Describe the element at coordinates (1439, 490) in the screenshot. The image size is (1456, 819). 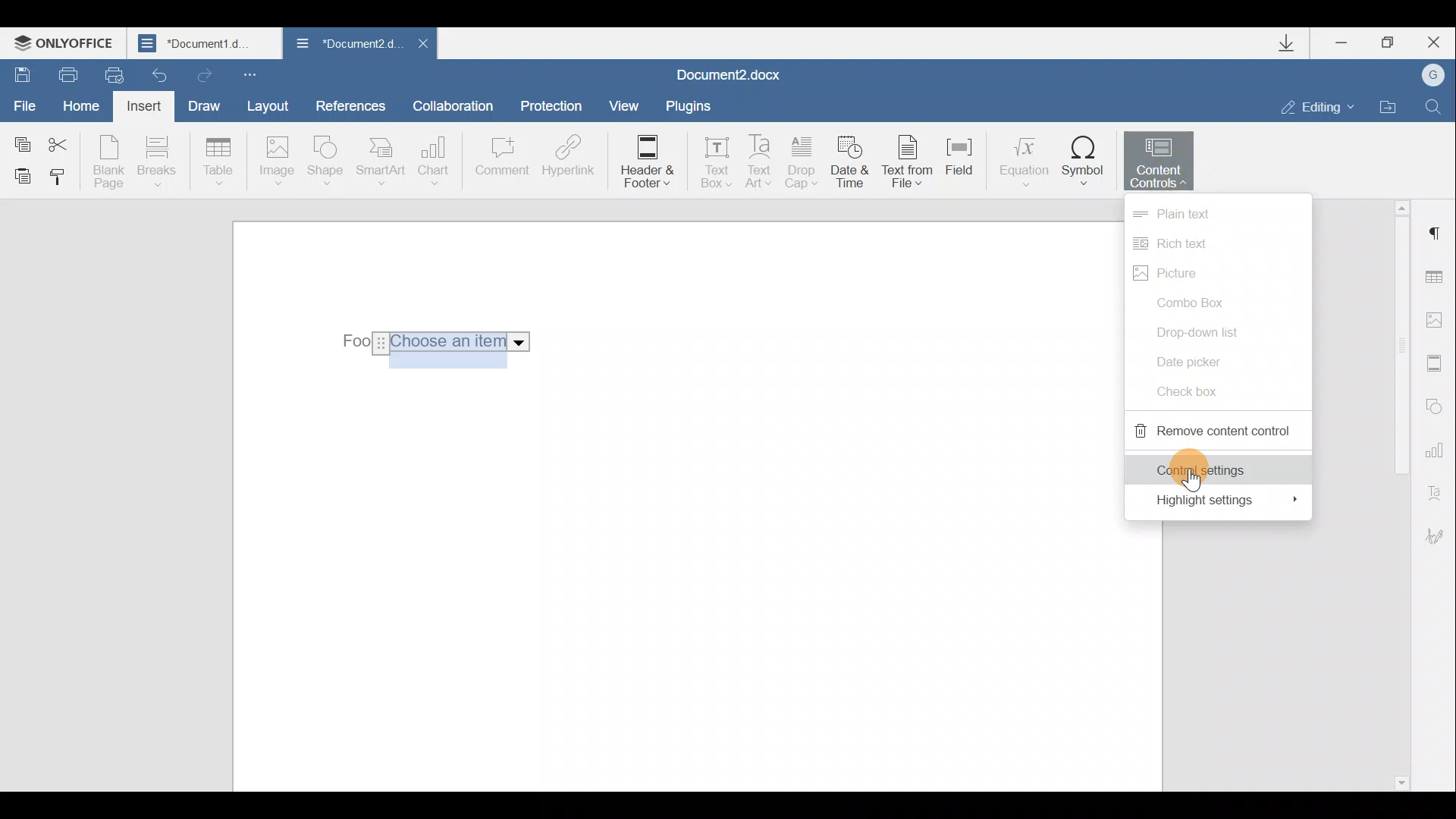
I see `Text Art settings` at that location.